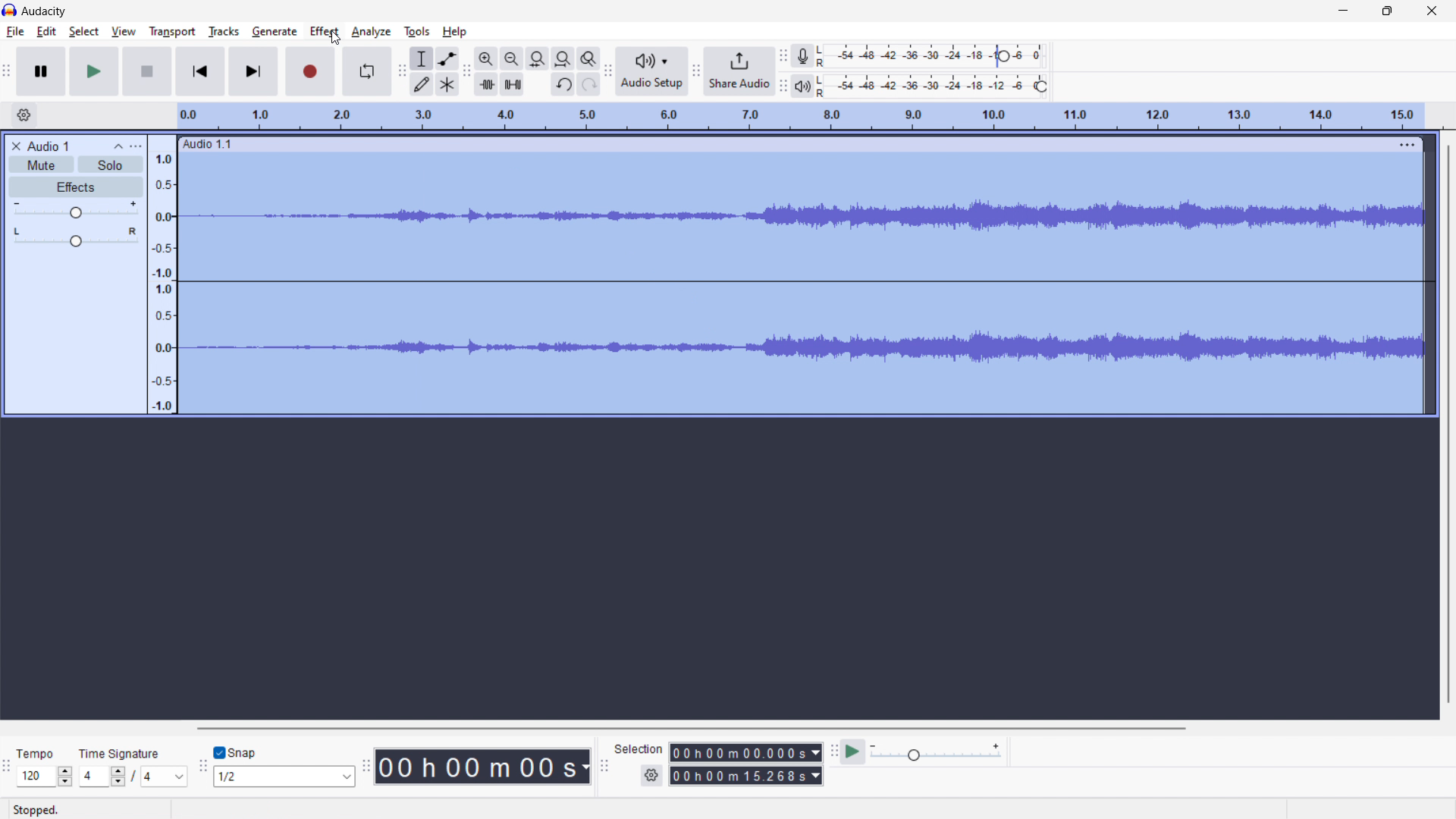  What do you see at coordinates (651, 71) in the screenshot?
I see `audio setup` at bounding box center [651, 71].